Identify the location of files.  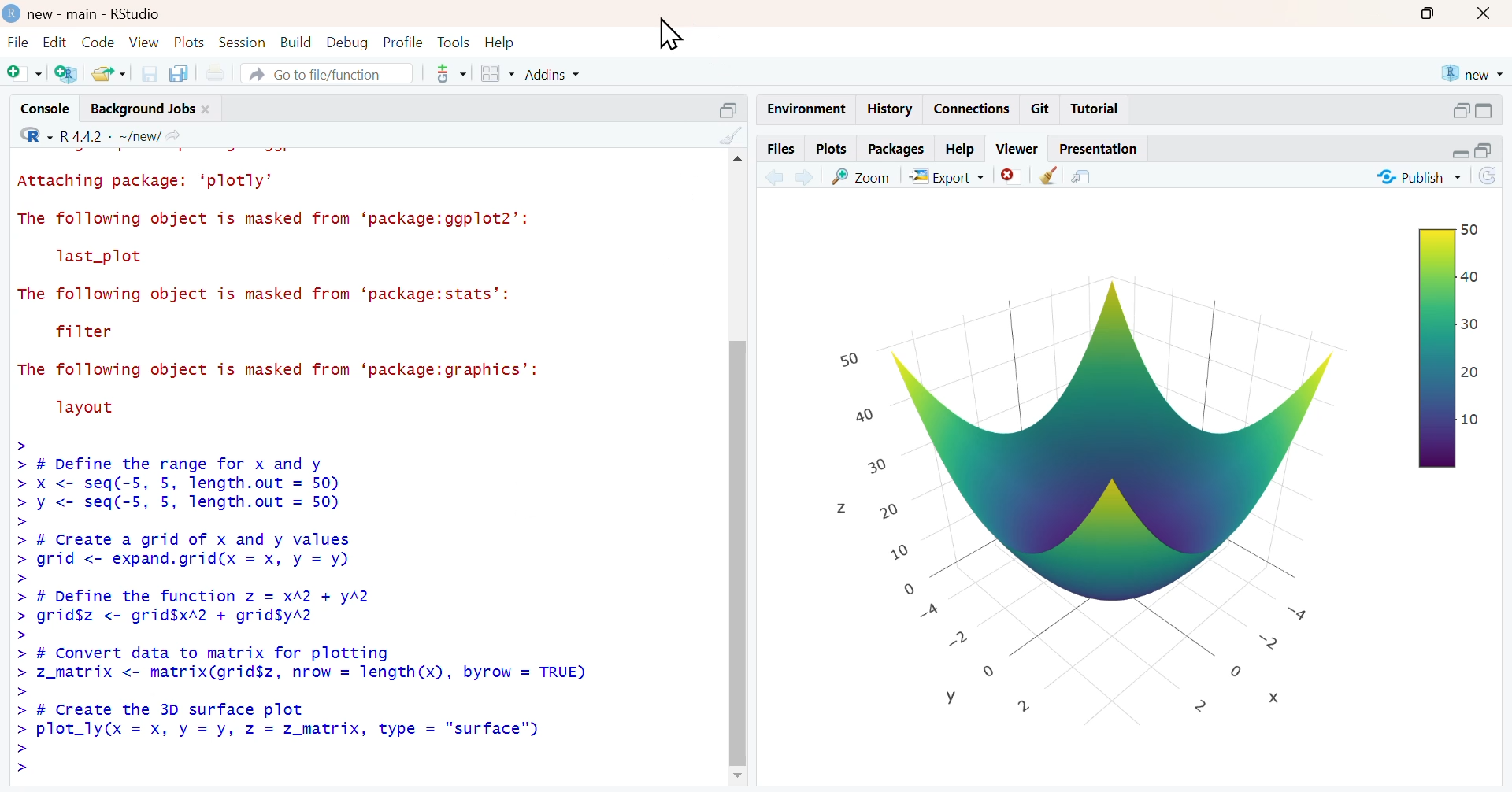
(780, 148).